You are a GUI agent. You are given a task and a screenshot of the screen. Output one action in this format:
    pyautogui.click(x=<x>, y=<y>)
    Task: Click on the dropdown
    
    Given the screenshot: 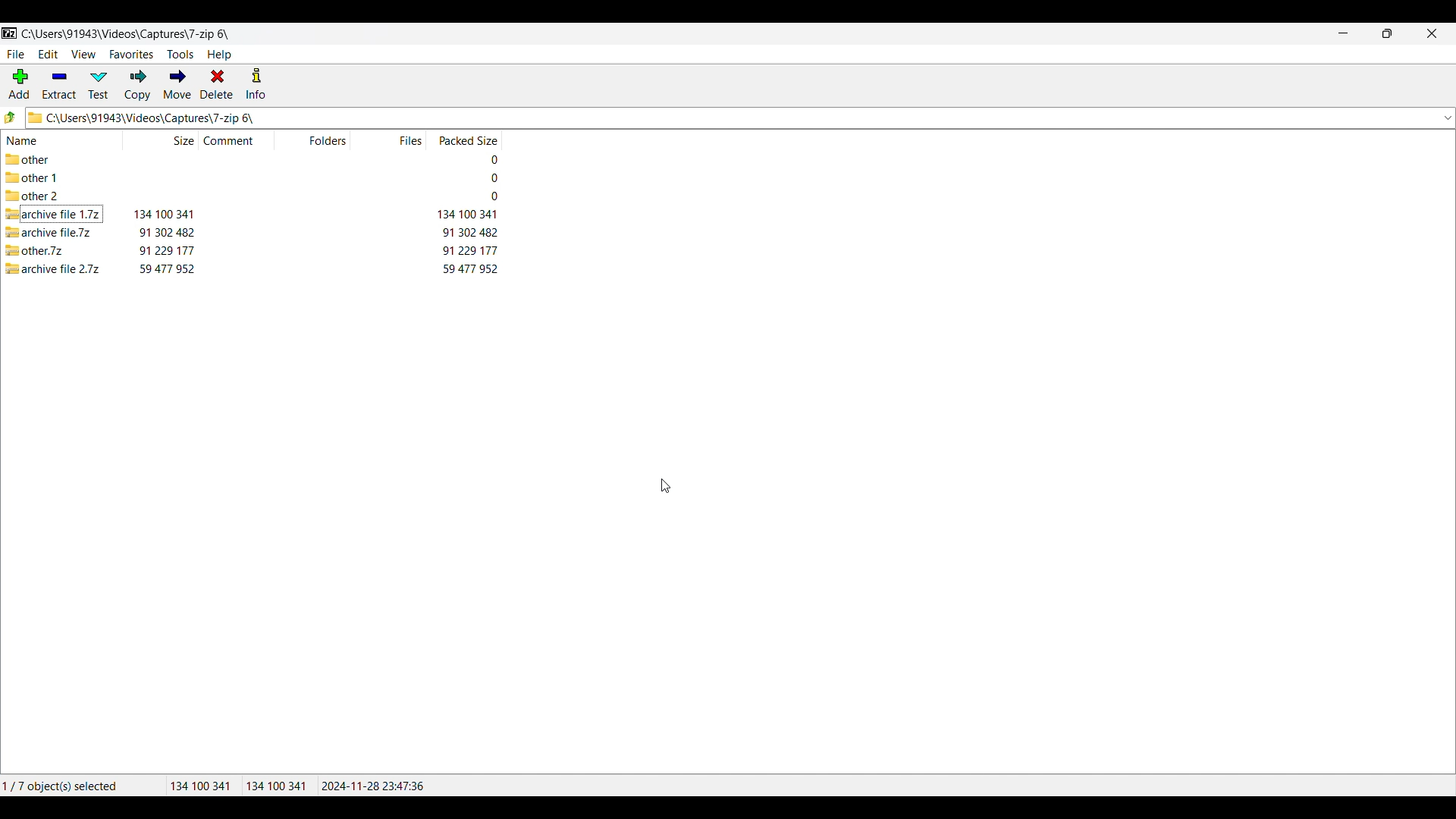 What is the action you would take?
    pyautogui.click(x=1447, y=118)
    